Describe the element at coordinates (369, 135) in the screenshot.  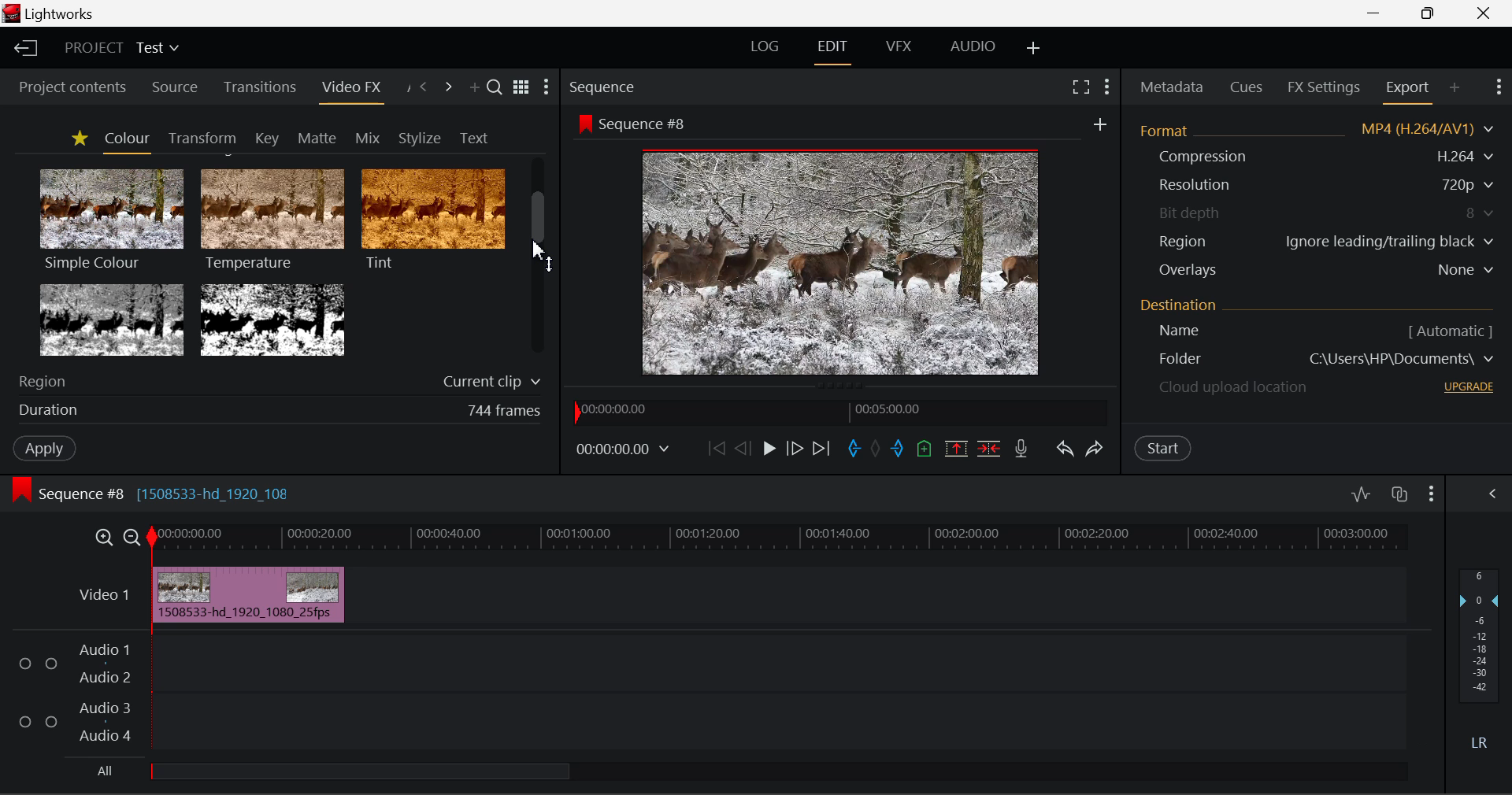
I see `Mix` at that location.